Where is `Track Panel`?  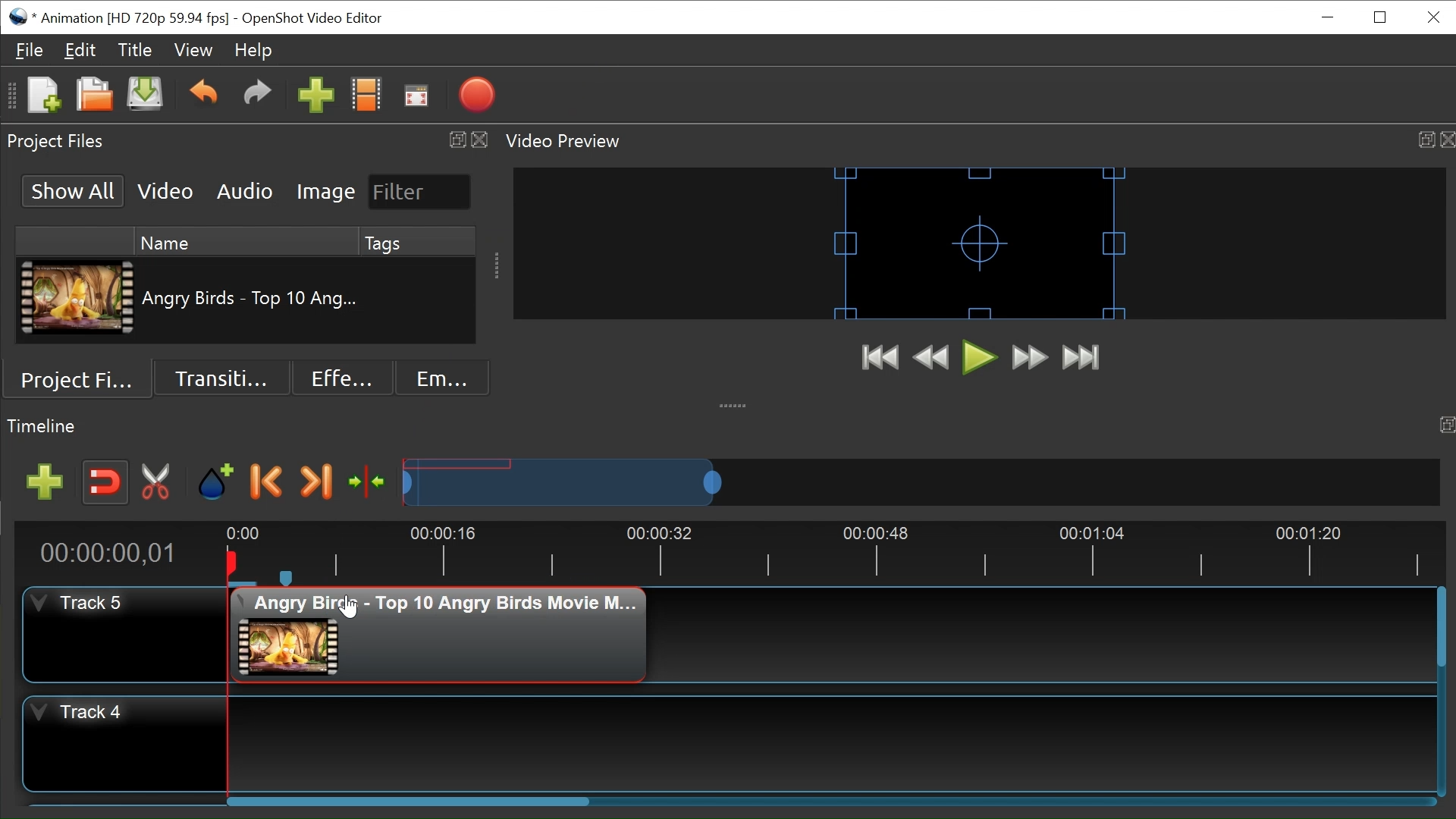
Track Panel is located at coordinates (835, 743).